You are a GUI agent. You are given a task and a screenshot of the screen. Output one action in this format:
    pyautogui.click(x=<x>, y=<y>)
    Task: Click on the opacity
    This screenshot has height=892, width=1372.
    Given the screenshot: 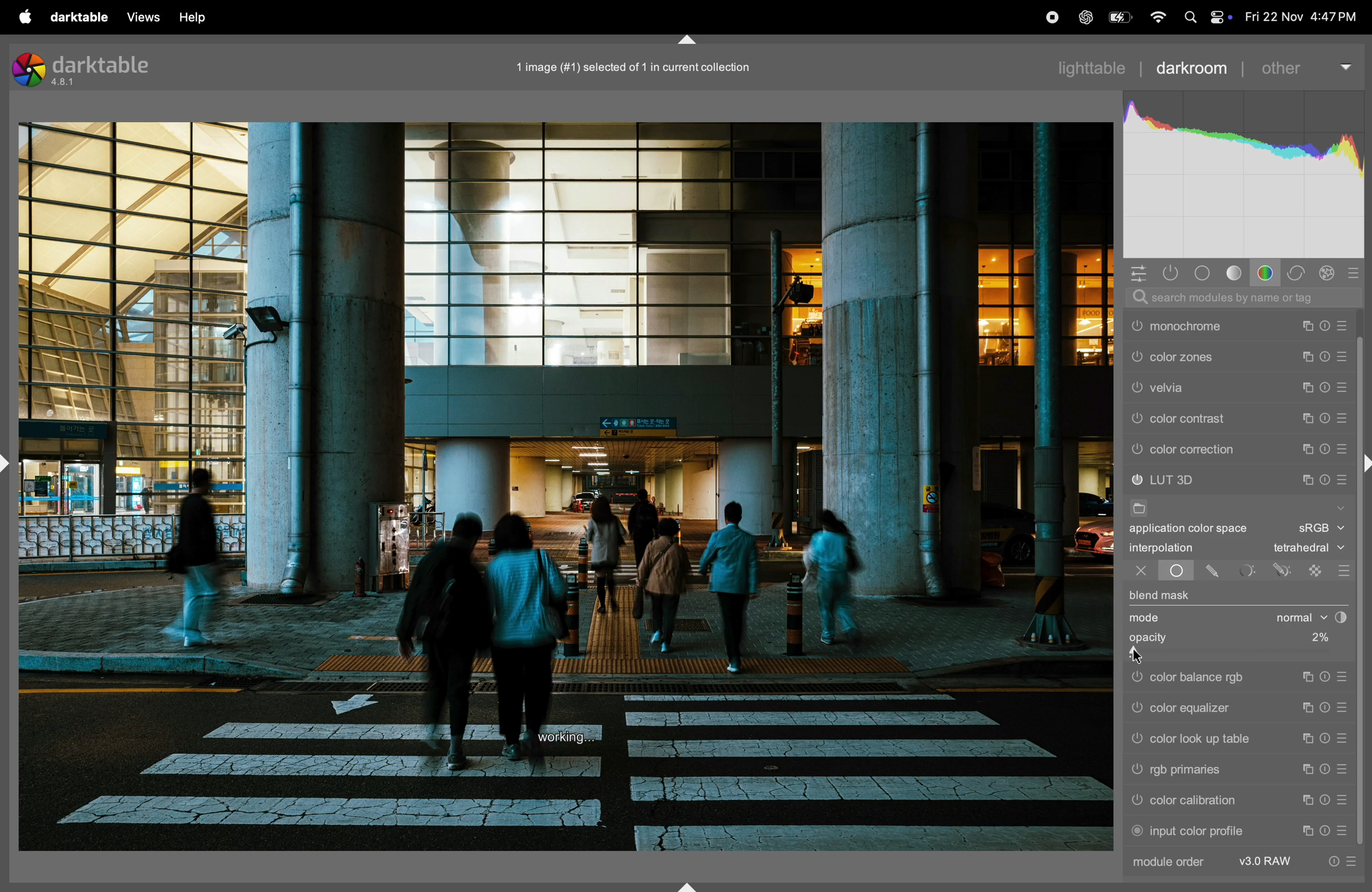 What is the action you would take?
    pyautogui.click(x=1152, y=637)
    